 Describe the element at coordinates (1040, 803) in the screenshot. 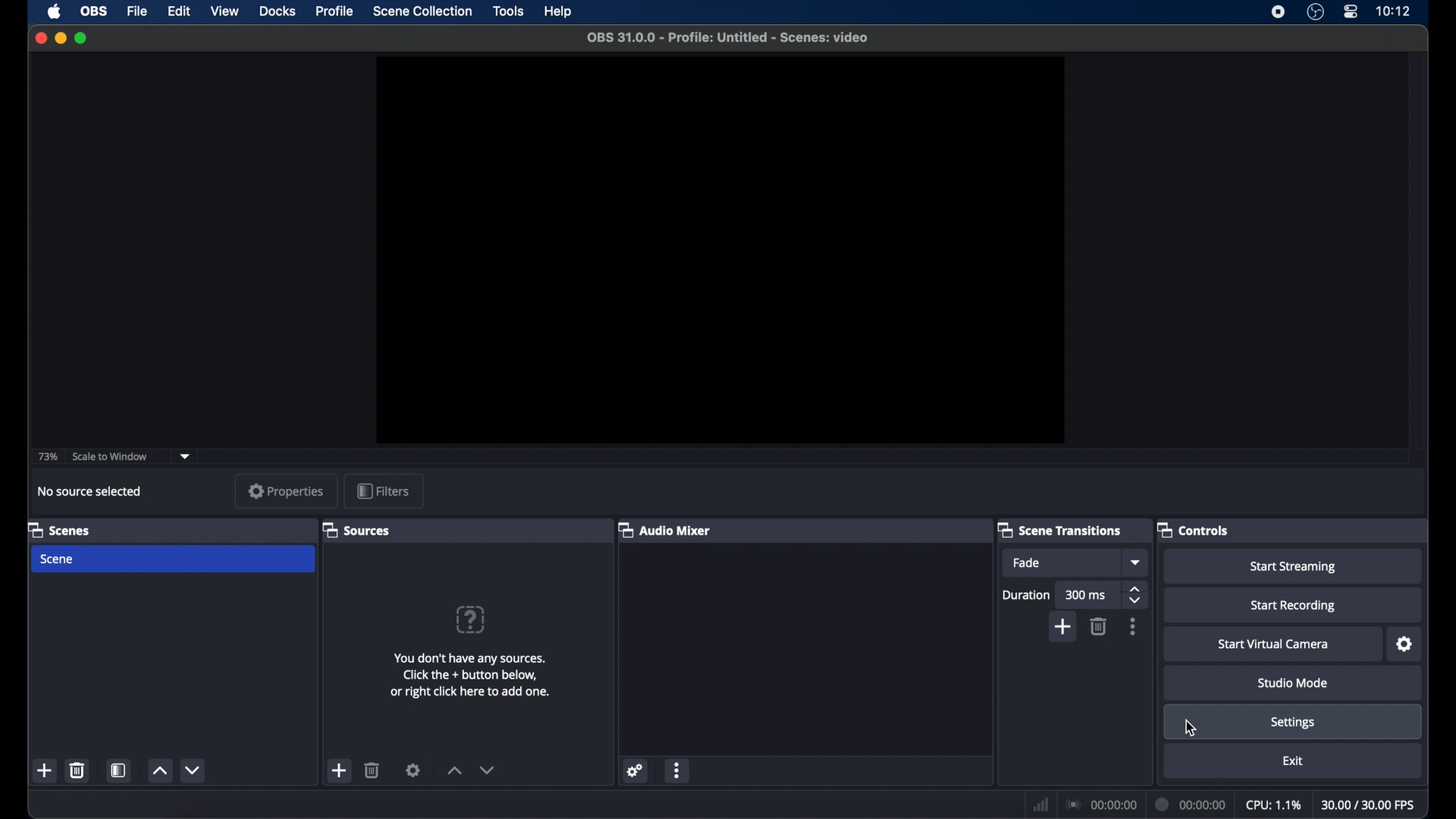

I see `network` at that location.